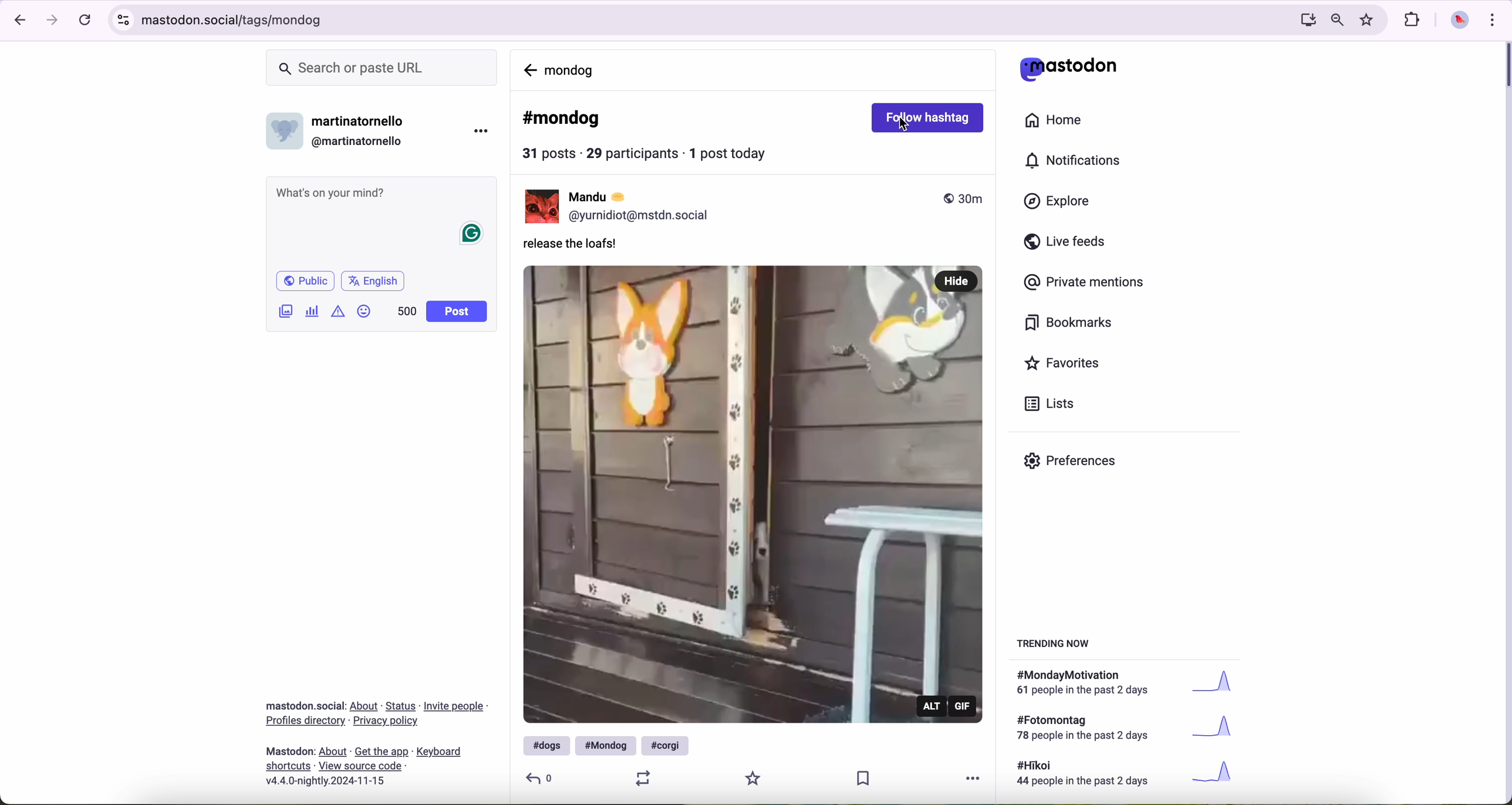  I want to click on mastodon, so click(291, 751).